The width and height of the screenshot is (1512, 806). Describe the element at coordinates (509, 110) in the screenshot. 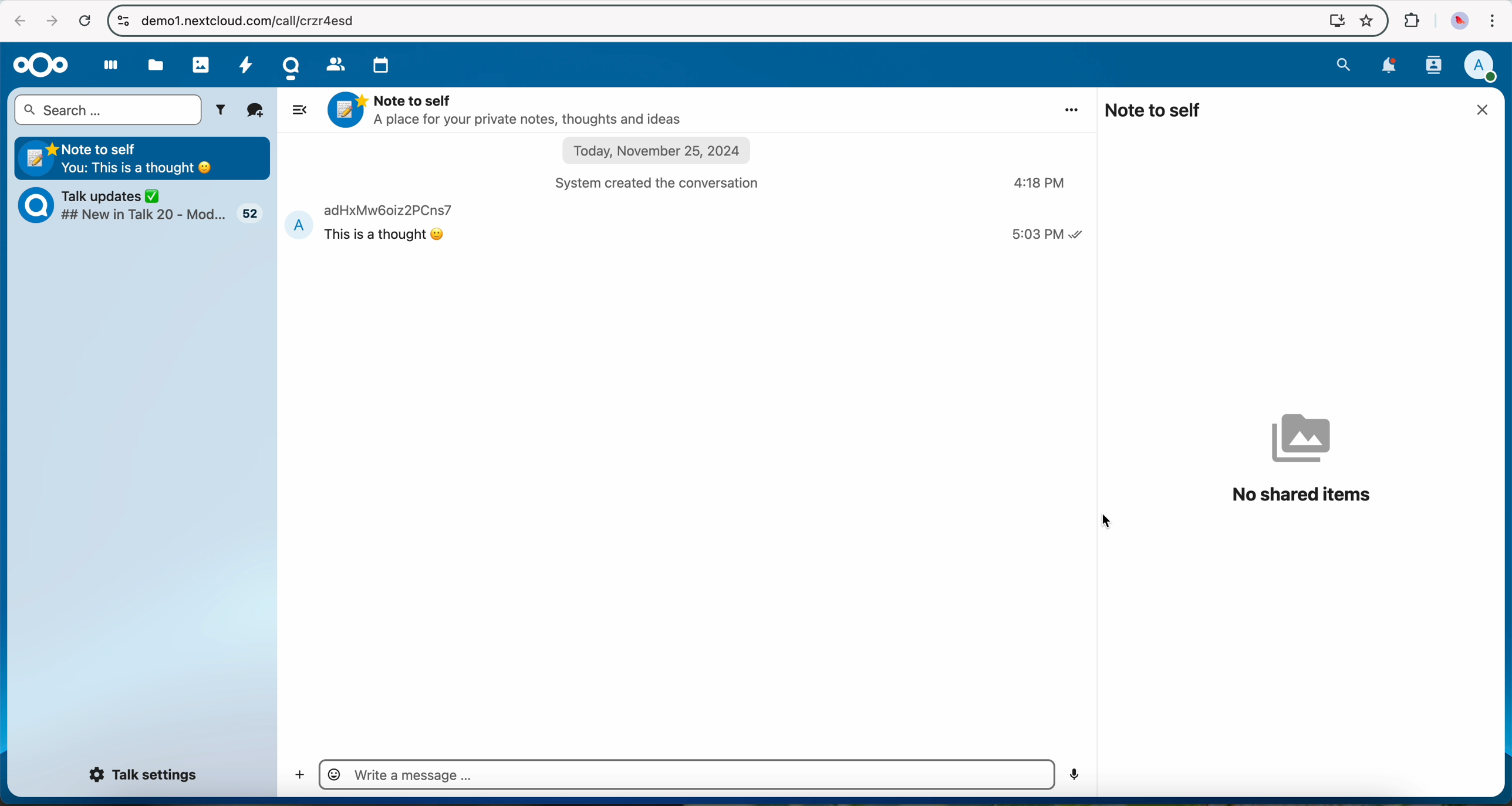

I see `Note to self` at that location.